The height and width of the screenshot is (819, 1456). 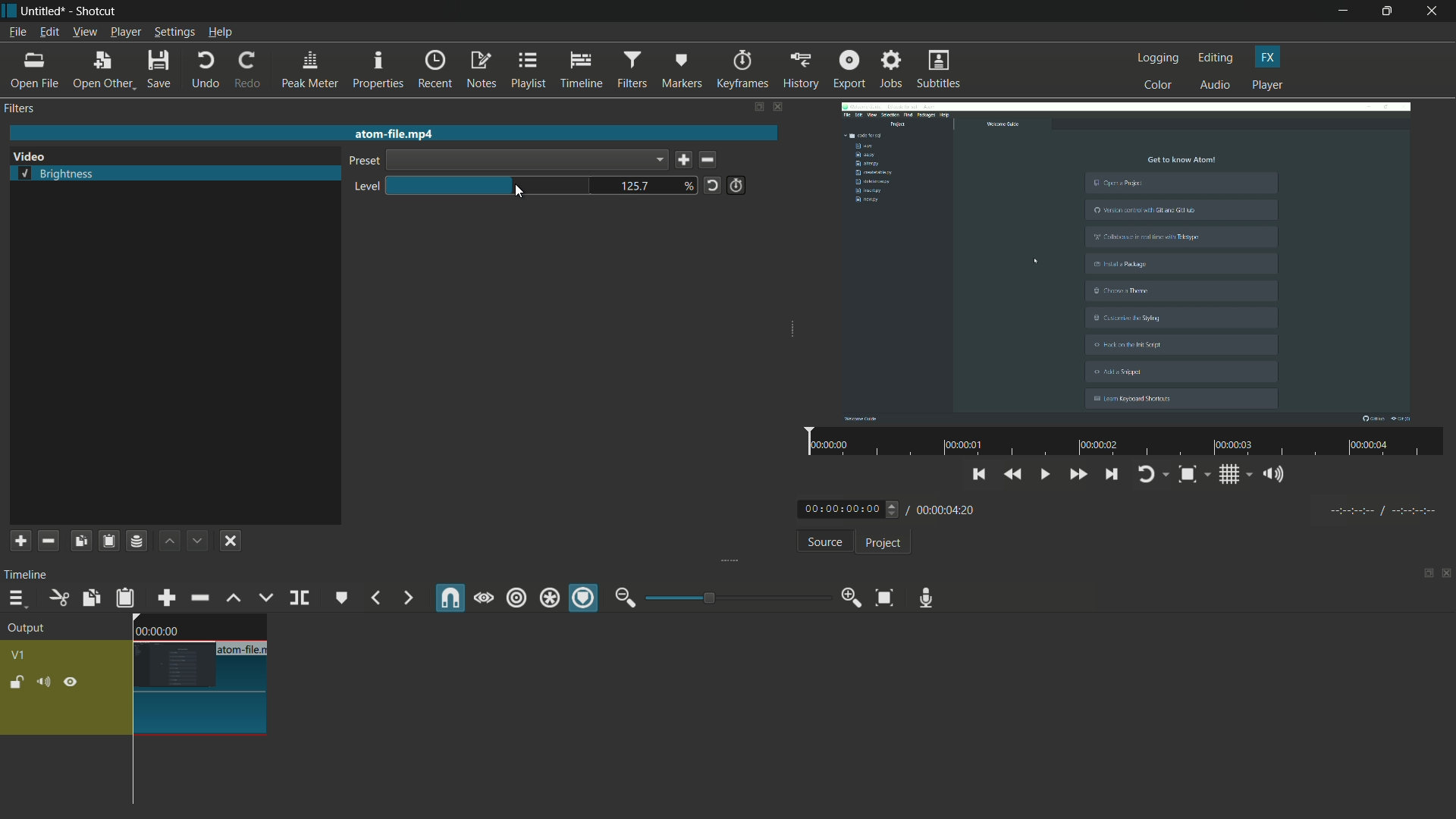 What do you see at coordinates (58, 598) in the screenshot?
I see `cut` at bounding box center [58, 598].